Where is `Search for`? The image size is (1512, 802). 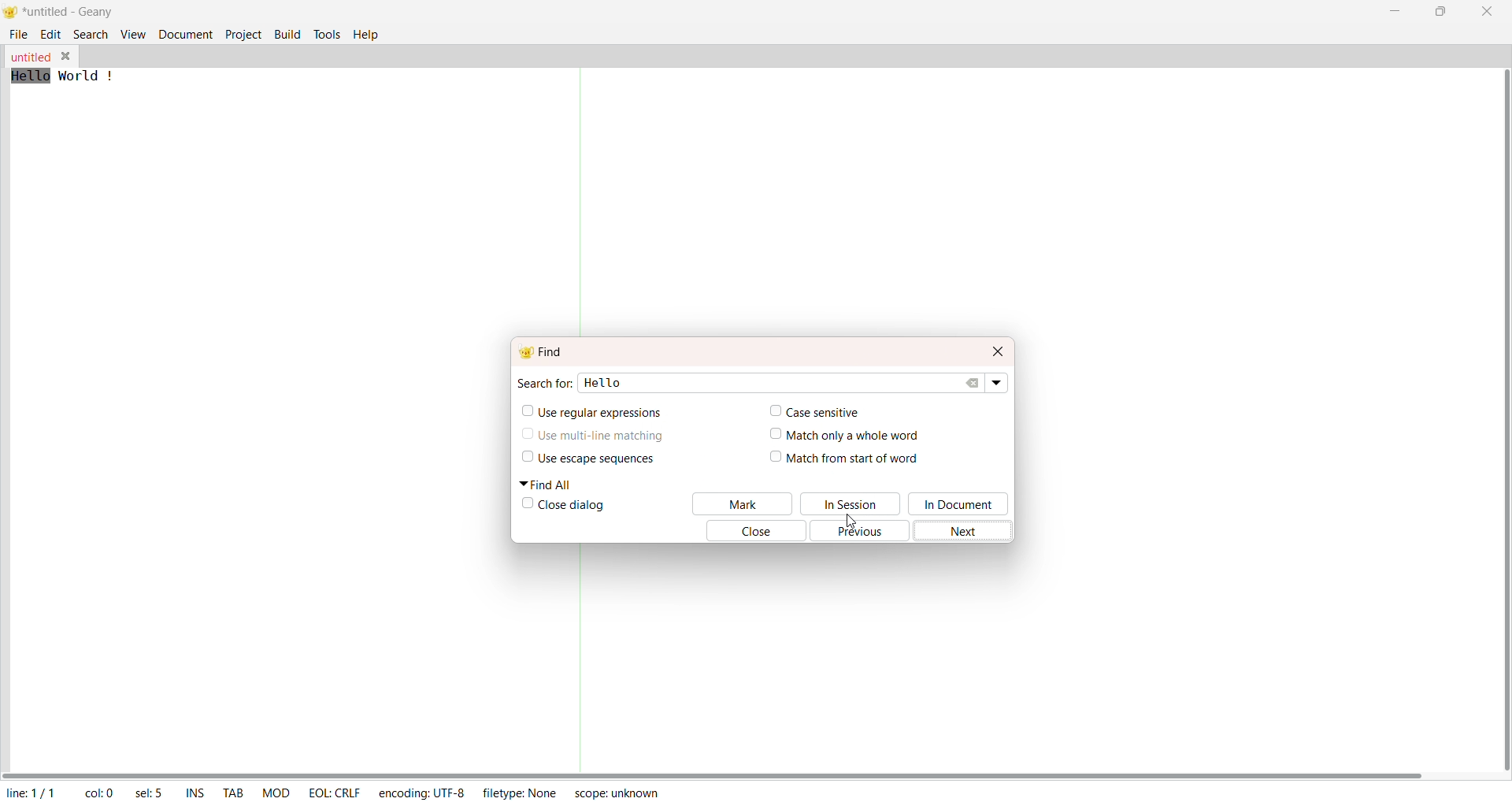 Search for is located at coordinates (543, 382).